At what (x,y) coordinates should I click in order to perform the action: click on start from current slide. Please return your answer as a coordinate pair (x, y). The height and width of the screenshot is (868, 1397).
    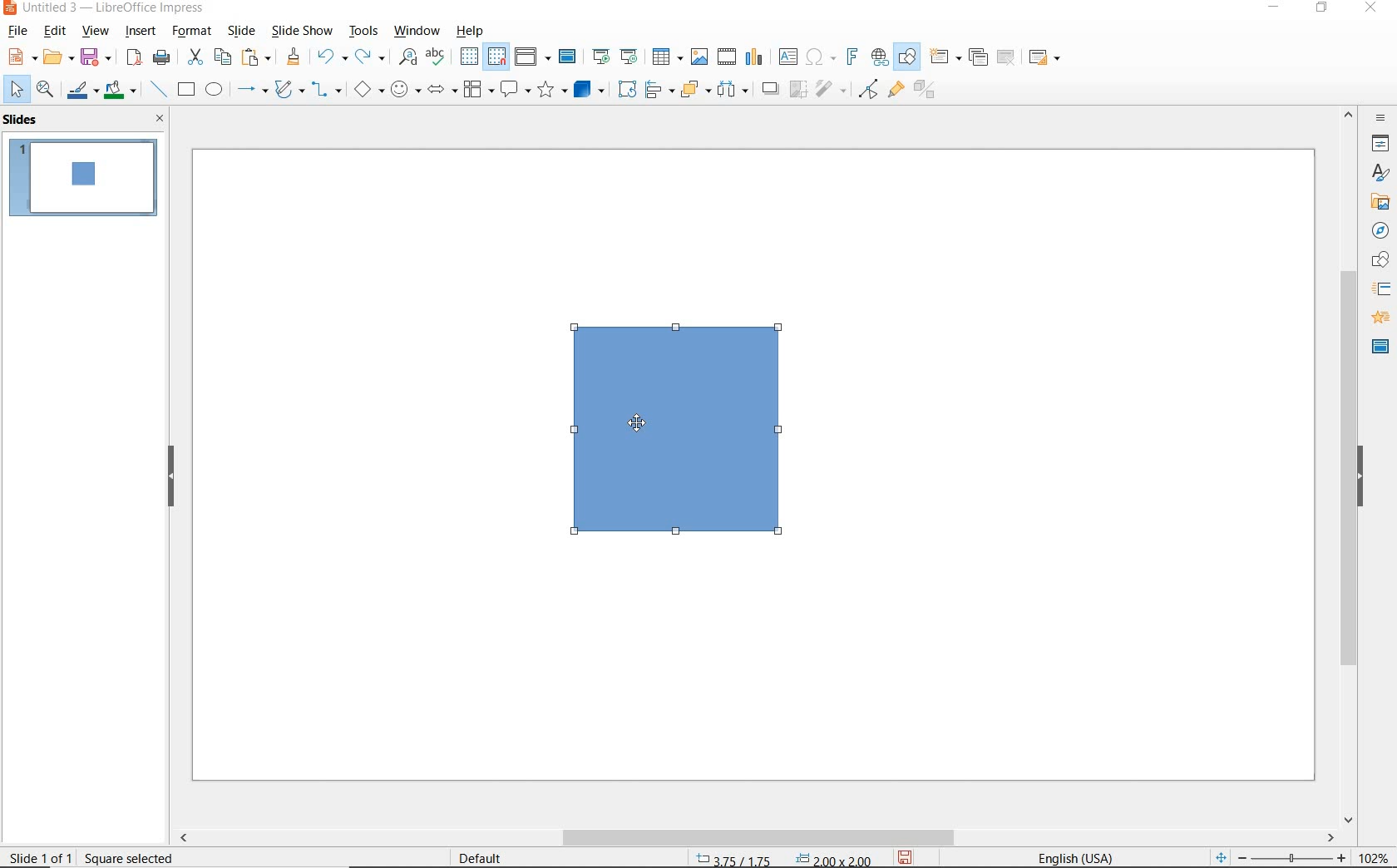
    Looking at the image, I should click on (630, 57).